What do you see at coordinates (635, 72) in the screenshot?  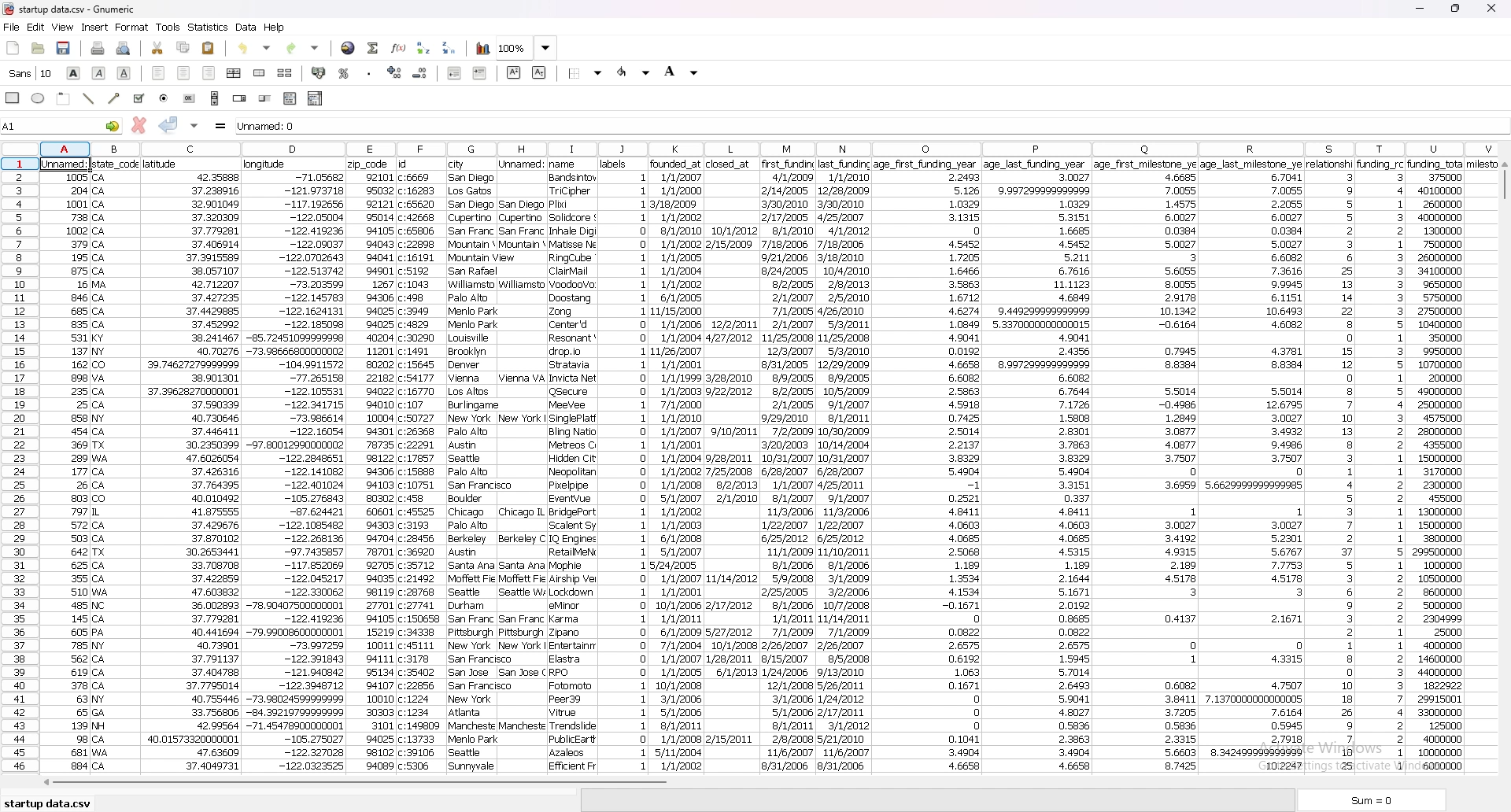 I see `foreground` at bounding box center [635, 72].